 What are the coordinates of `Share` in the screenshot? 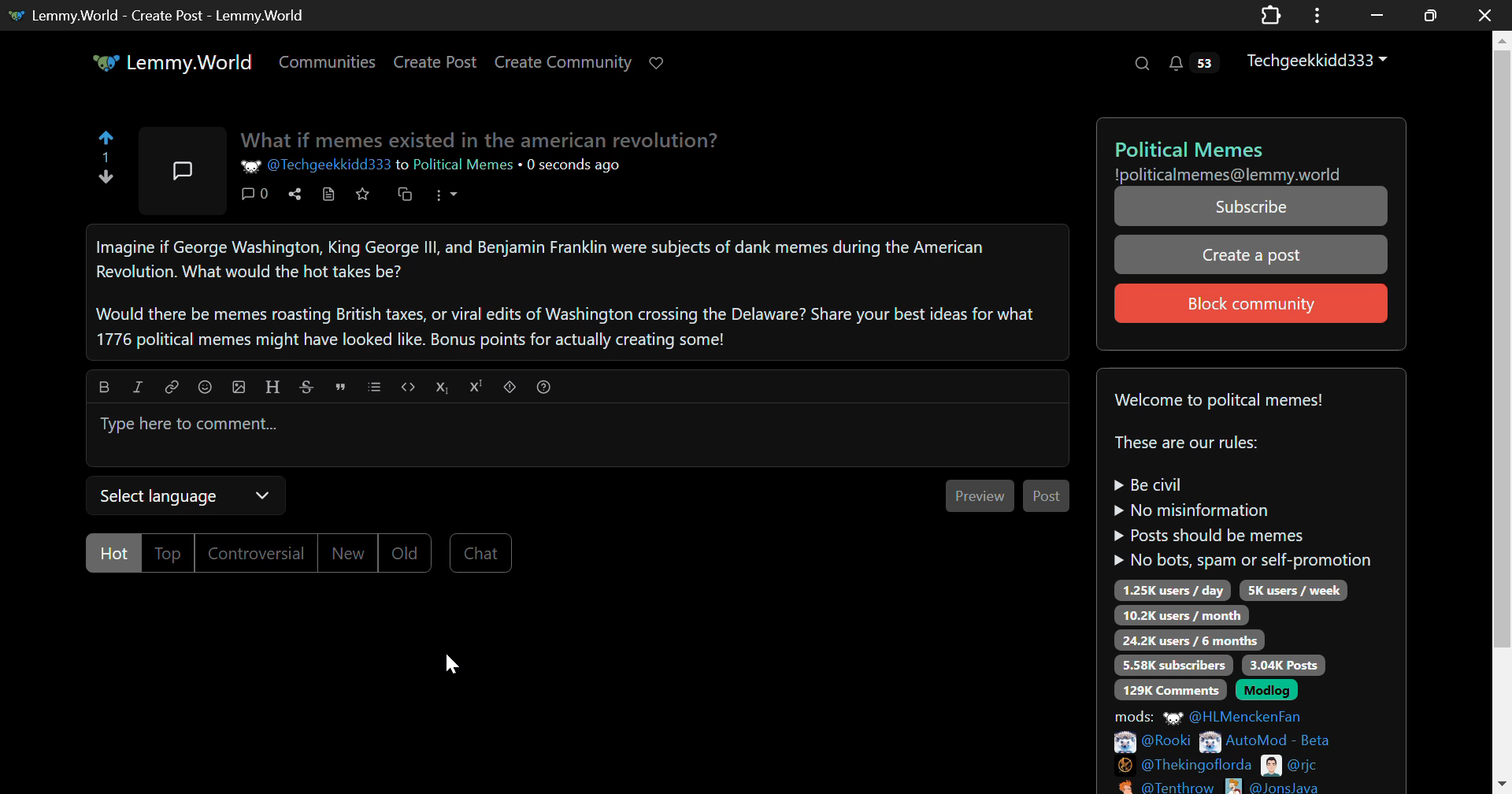 It's located at (298, 198).